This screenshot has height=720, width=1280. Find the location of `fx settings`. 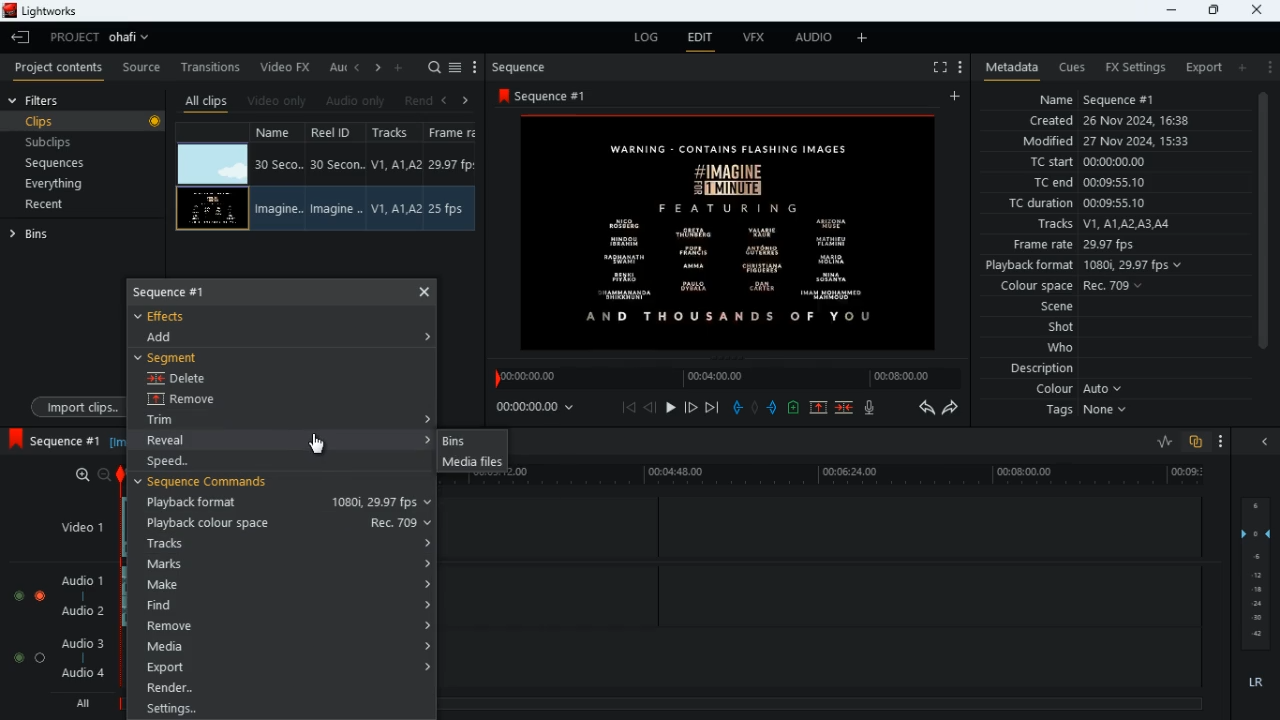

fx settings is located at coordinates (1133, 65).